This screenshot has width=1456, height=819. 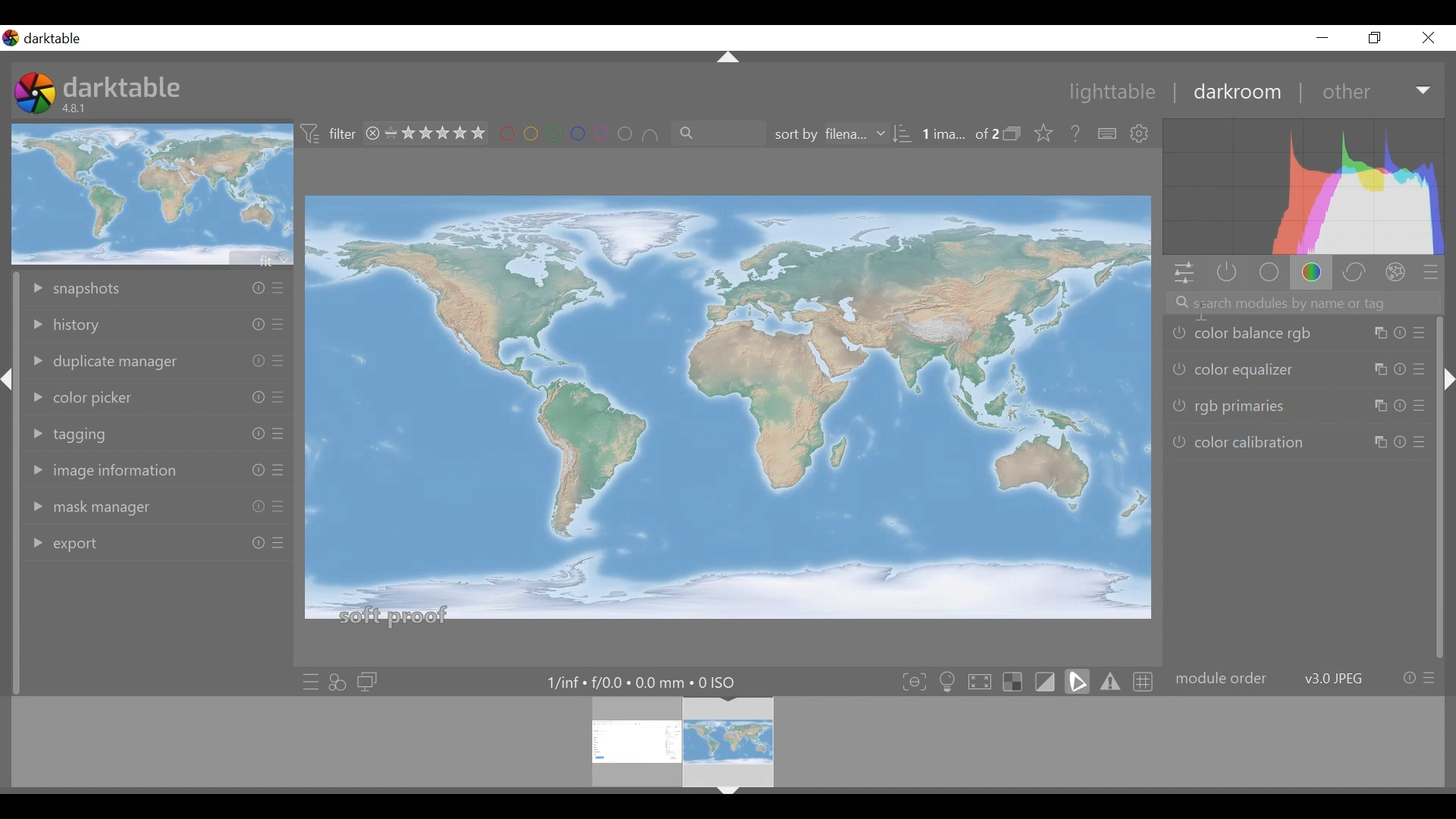 I want to click on darktable, so click(x=123, y=86).